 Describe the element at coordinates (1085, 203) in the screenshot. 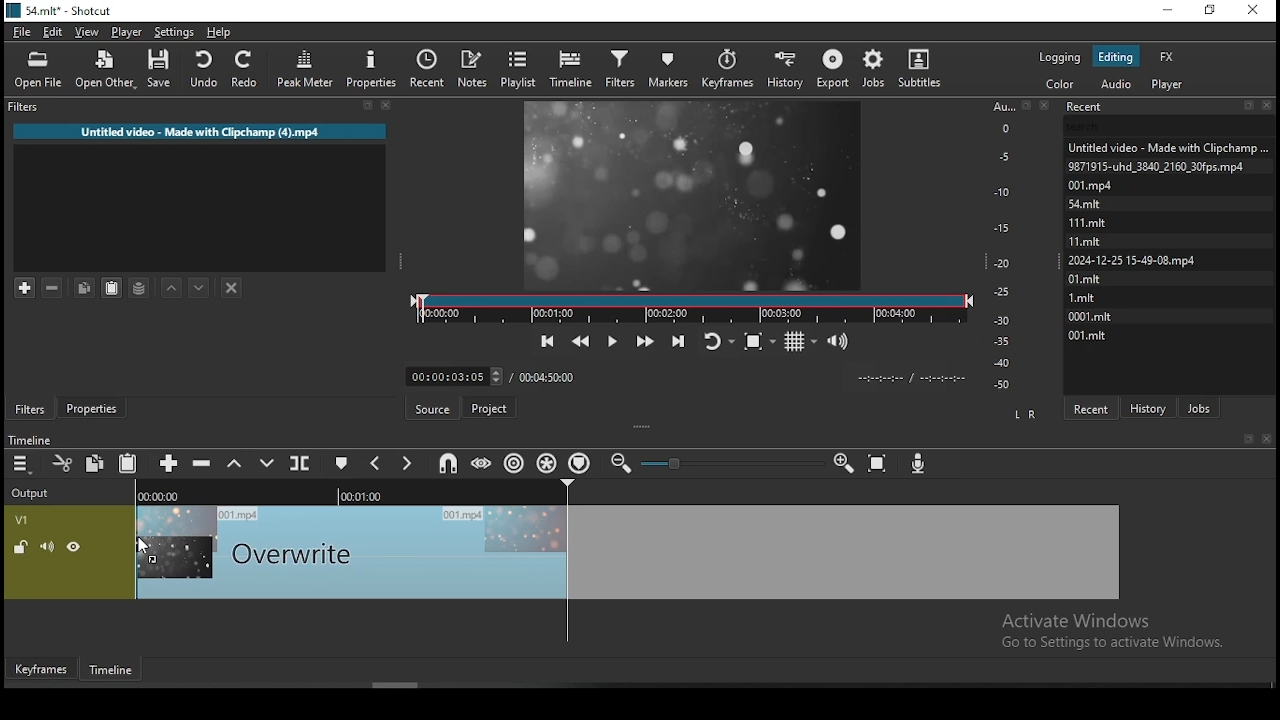

I see `files` at that location.